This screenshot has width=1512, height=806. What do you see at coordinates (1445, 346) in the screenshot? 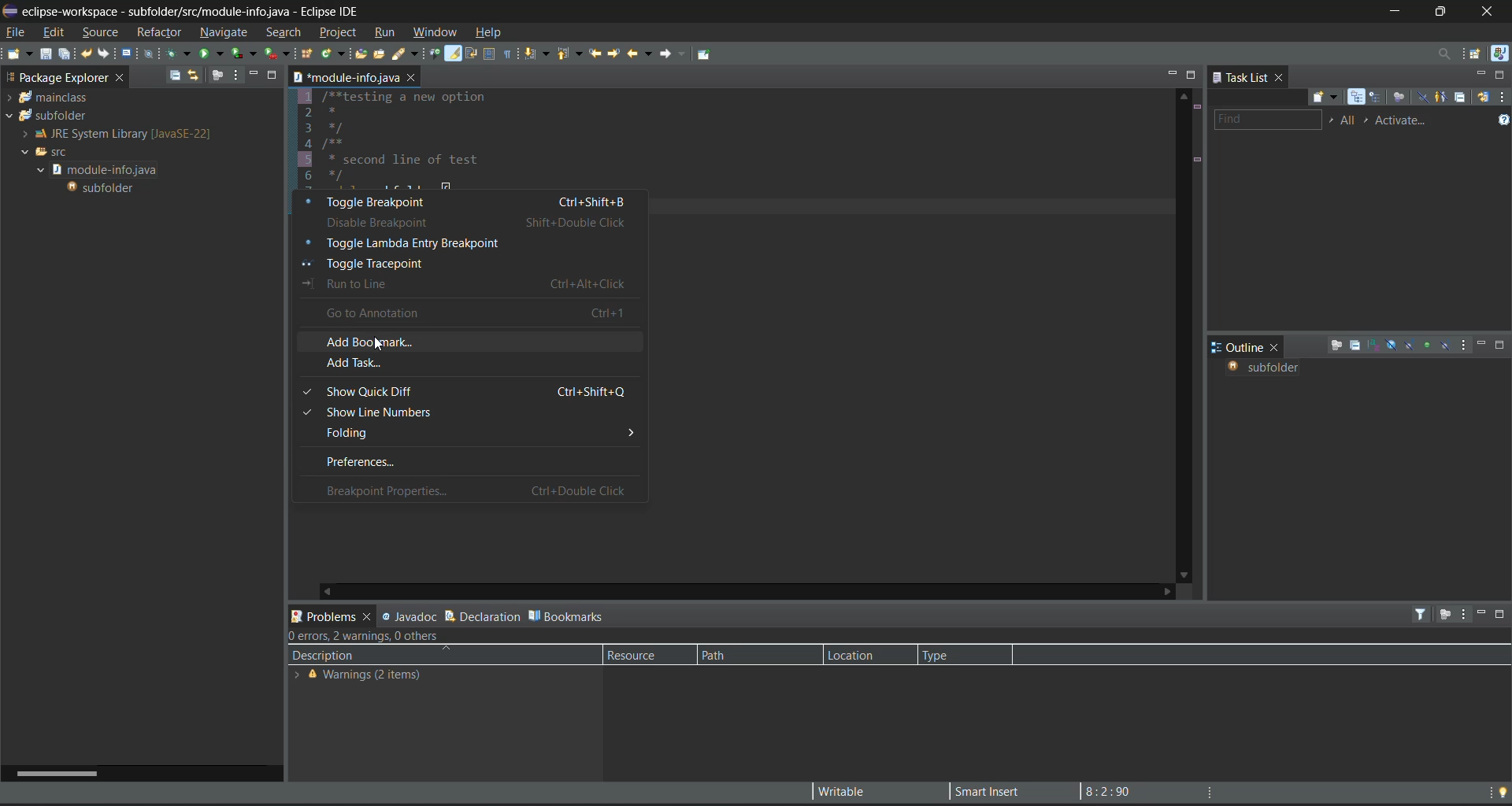
I see `hide local types` at bounding box center [1445, 346].